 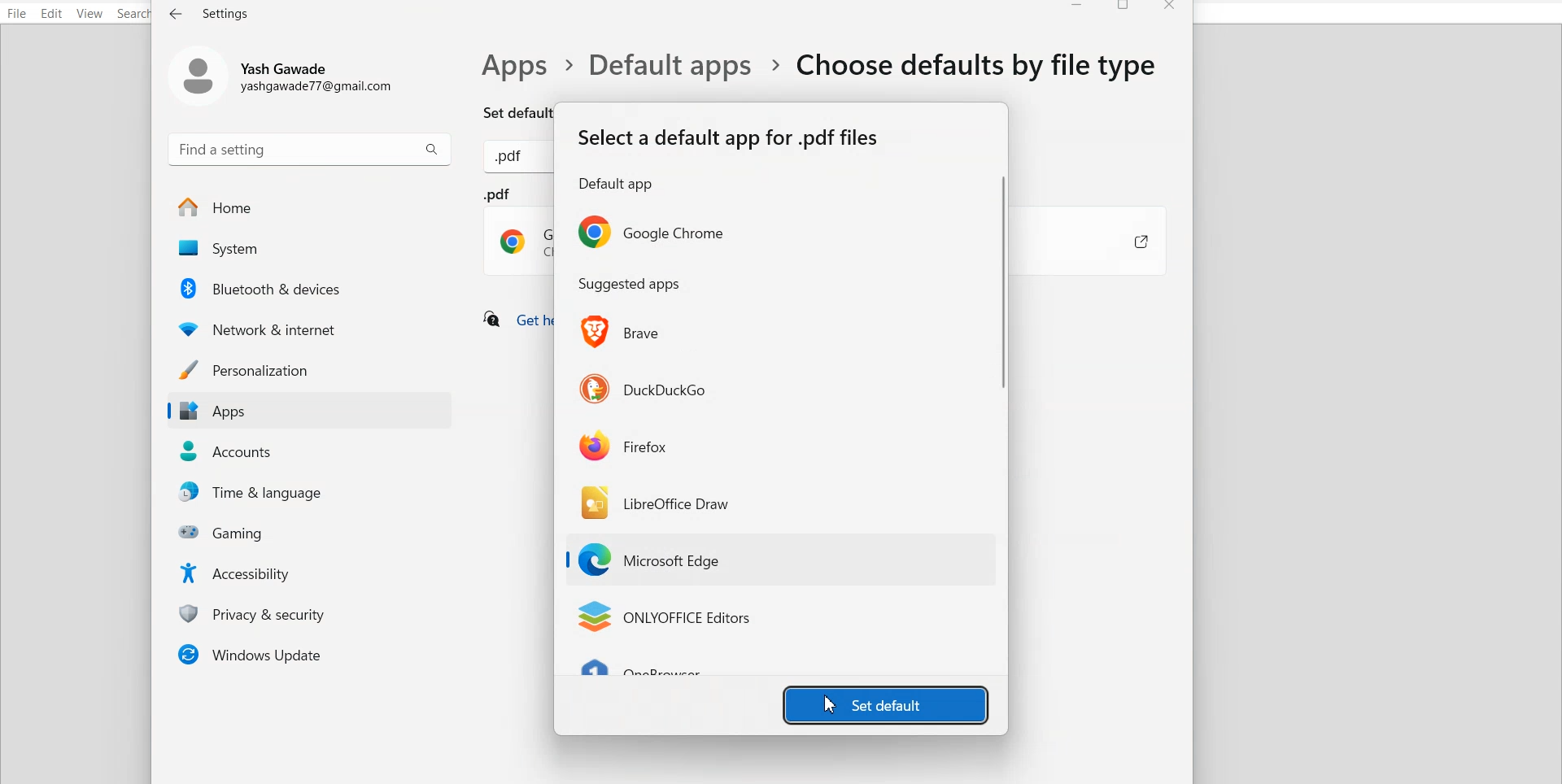 I want to click on Firefox, so click(x=625, y=445).